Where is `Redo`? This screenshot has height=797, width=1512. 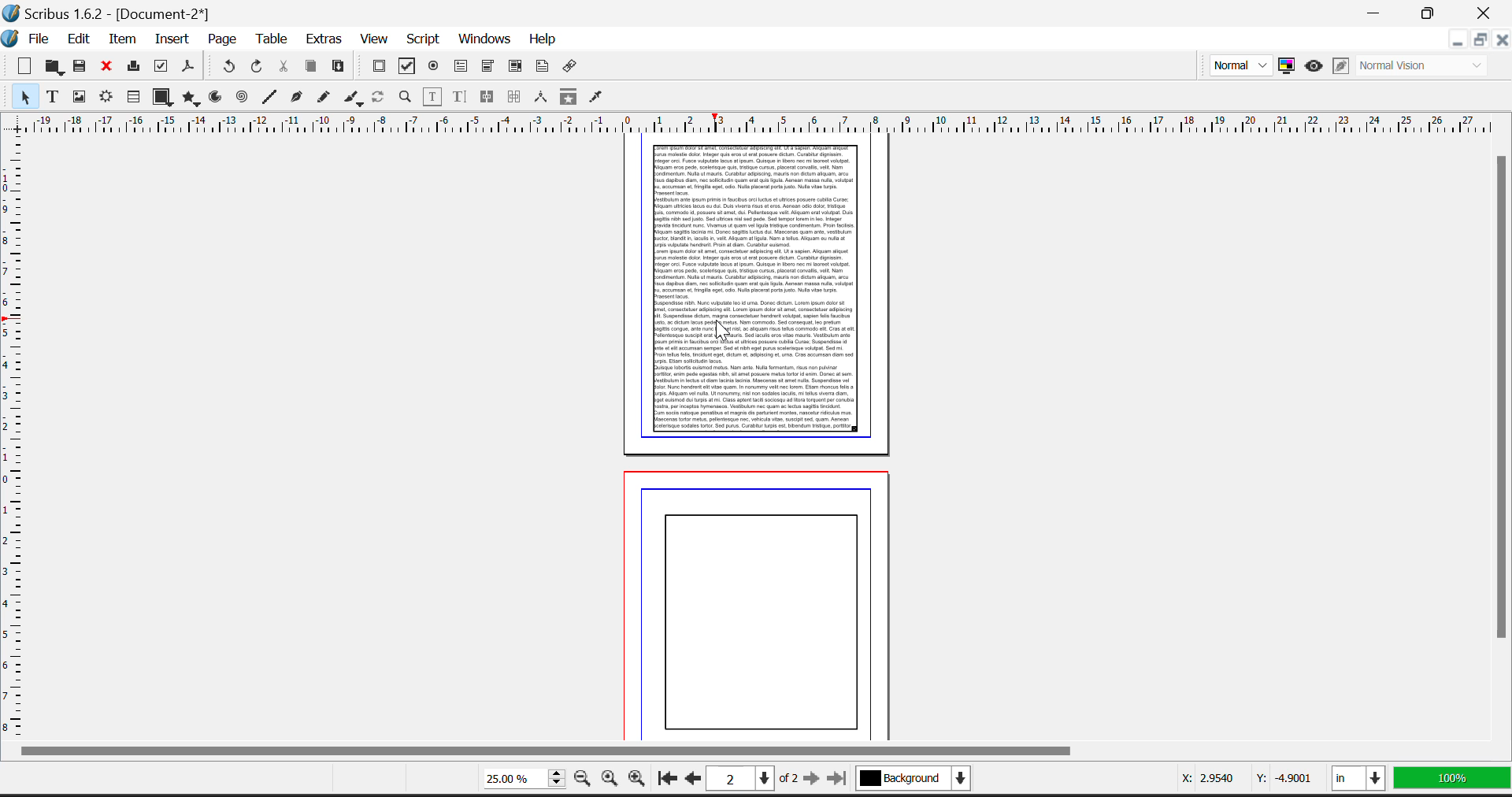 Redo is located at coordinates (259, 69).